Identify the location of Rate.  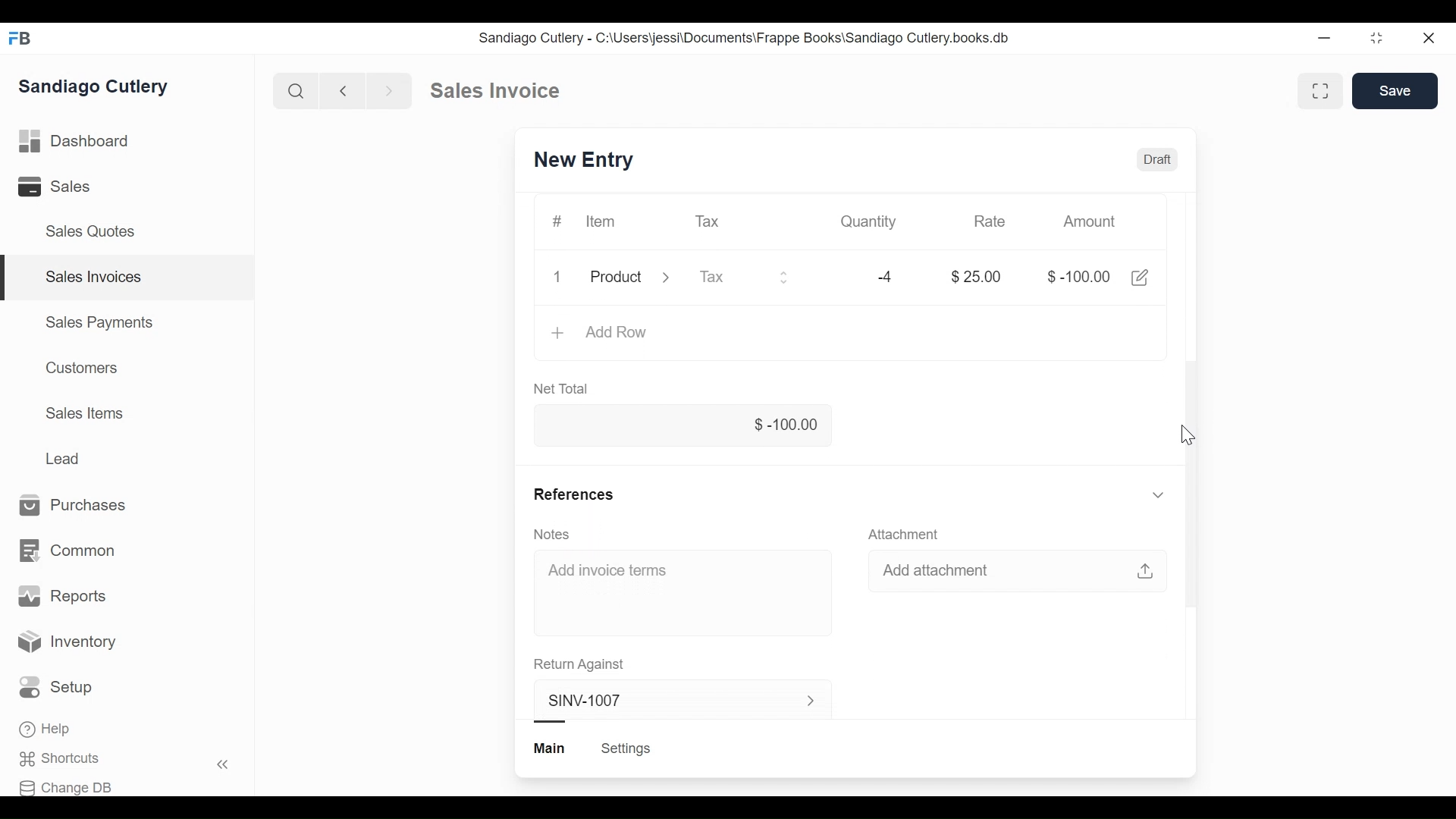
(989, 221).